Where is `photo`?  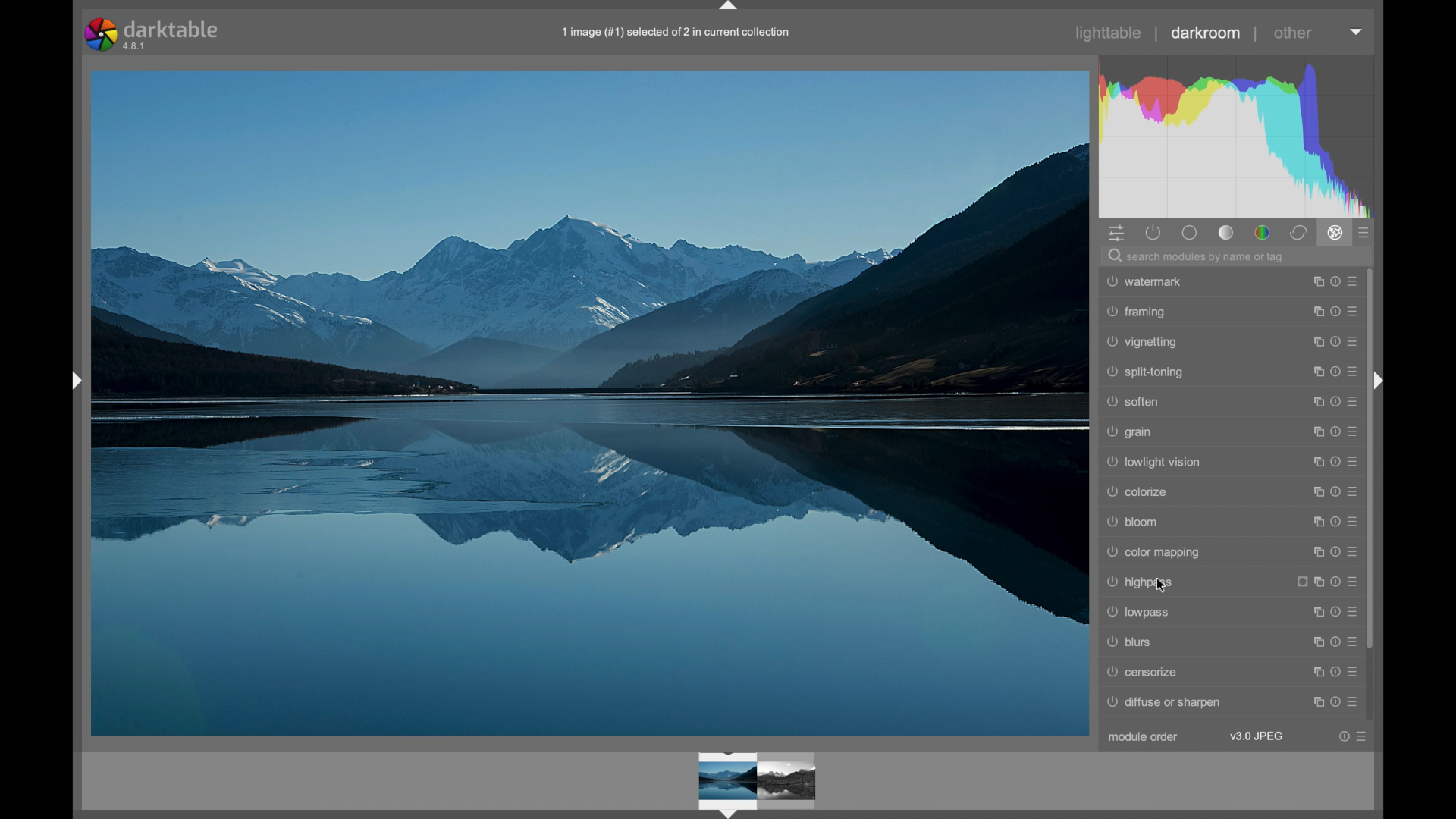
photo is located at coordinates (590, 401).